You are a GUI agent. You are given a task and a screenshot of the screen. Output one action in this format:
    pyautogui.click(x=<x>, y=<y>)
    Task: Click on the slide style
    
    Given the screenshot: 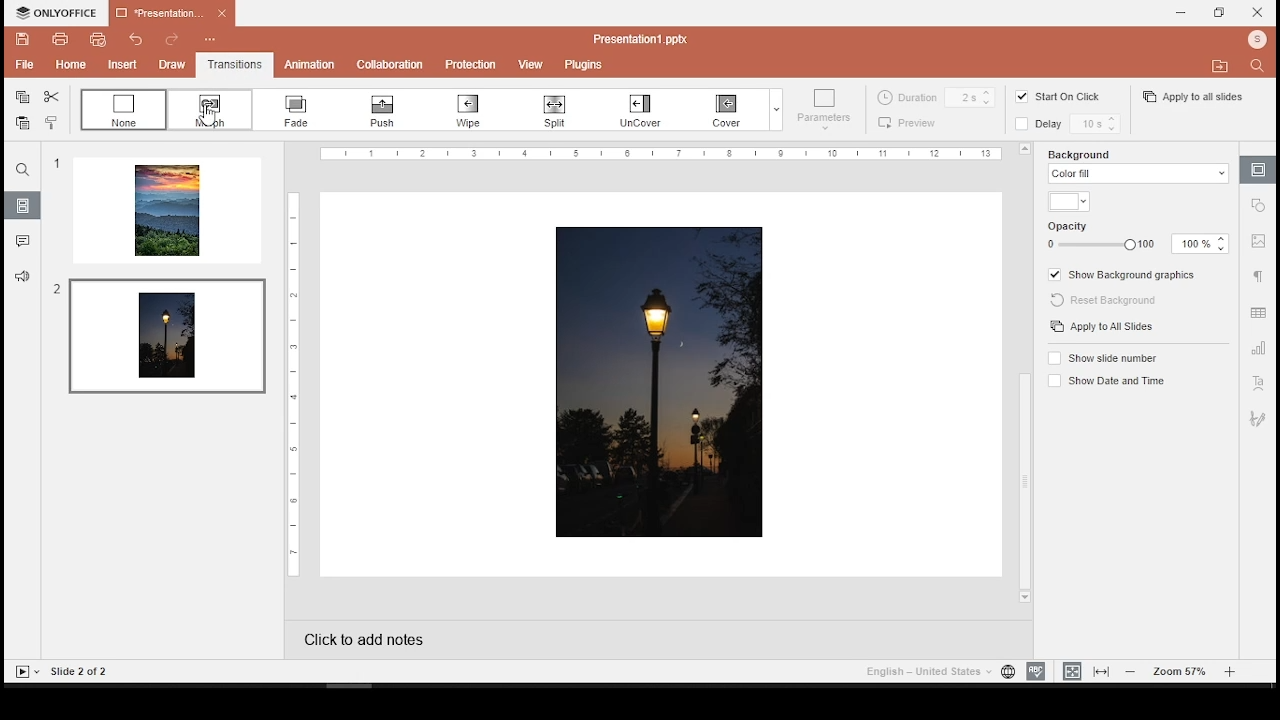 What is the action you would take?
    pyautogui.click(x=1078, y=127)
    